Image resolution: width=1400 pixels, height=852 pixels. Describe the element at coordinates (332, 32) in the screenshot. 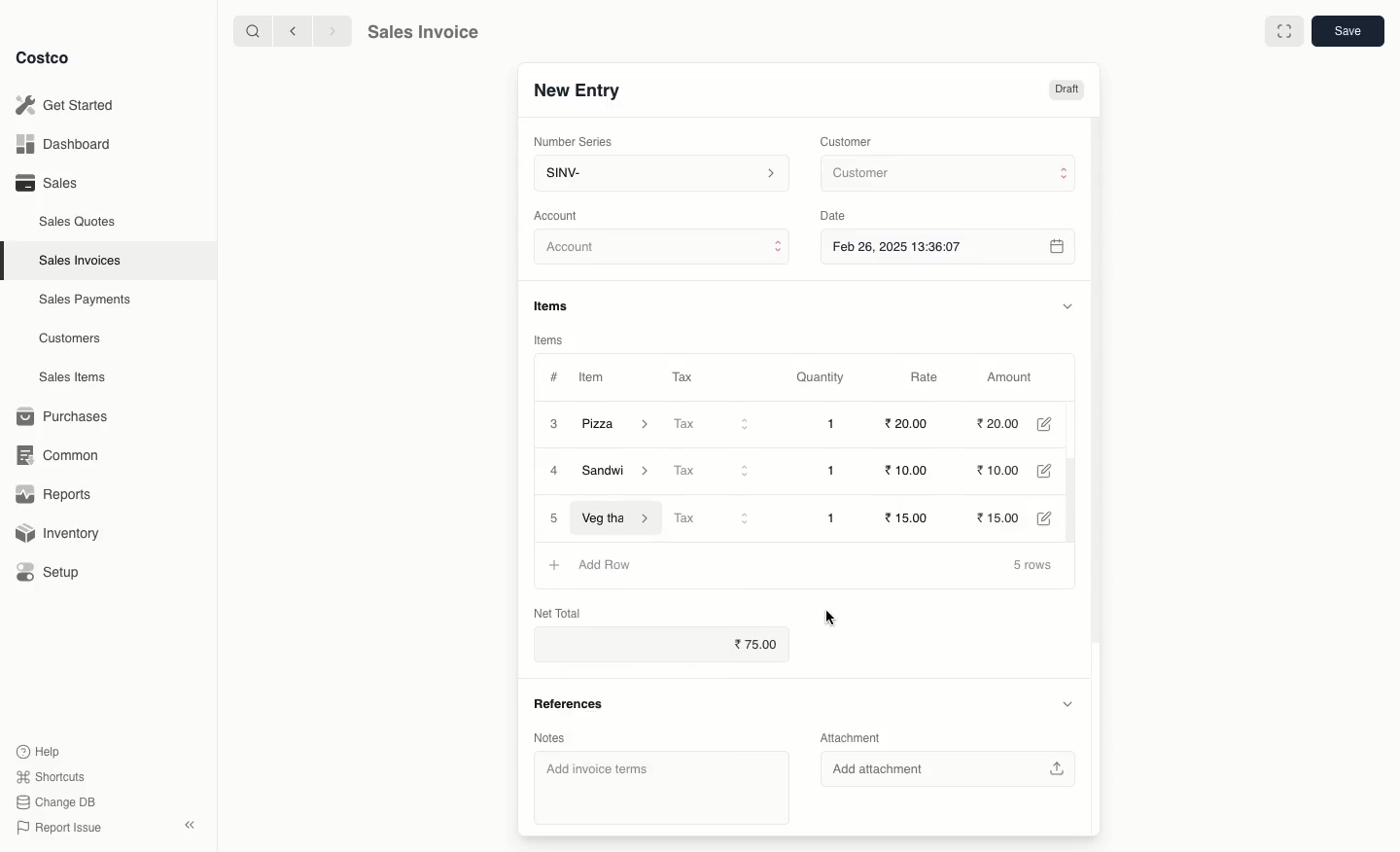

I see `Forward` at that location.